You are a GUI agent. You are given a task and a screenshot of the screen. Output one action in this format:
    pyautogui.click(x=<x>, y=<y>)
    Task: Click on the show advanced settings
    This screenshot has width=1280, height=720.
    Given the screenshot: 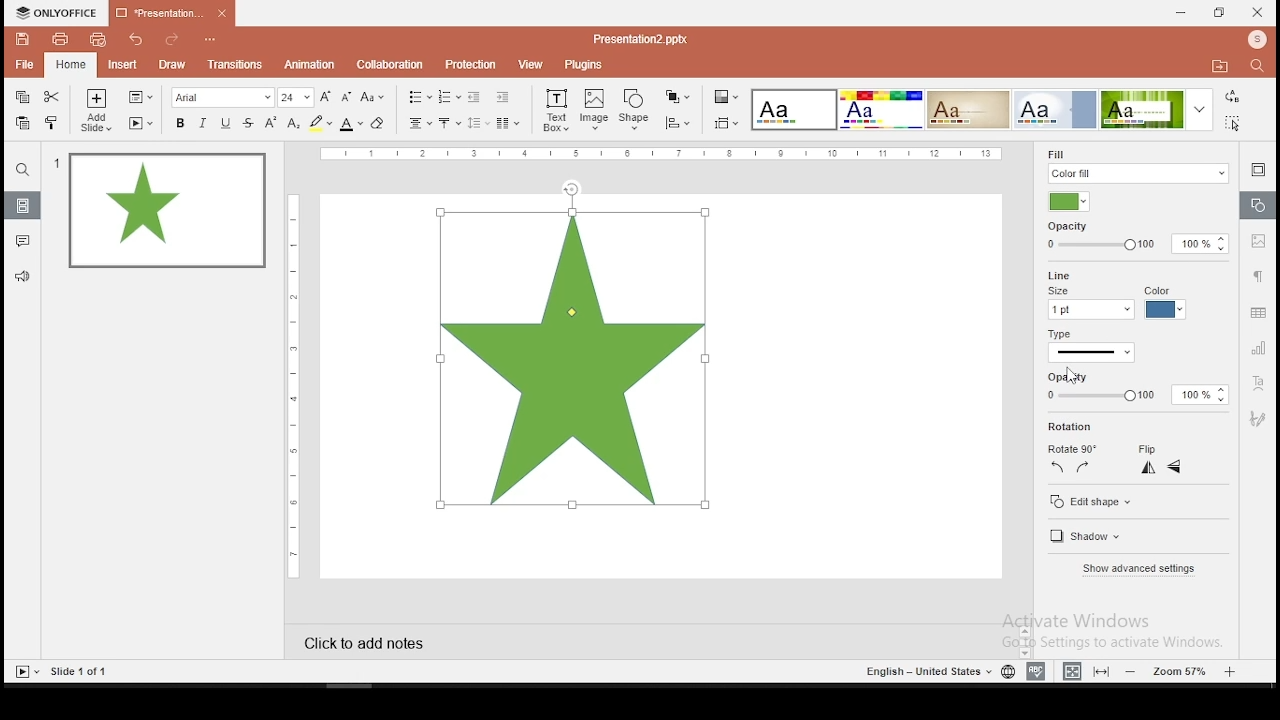 What is the action you would take?
    pyautogui.click(x=1141, y=567)
    